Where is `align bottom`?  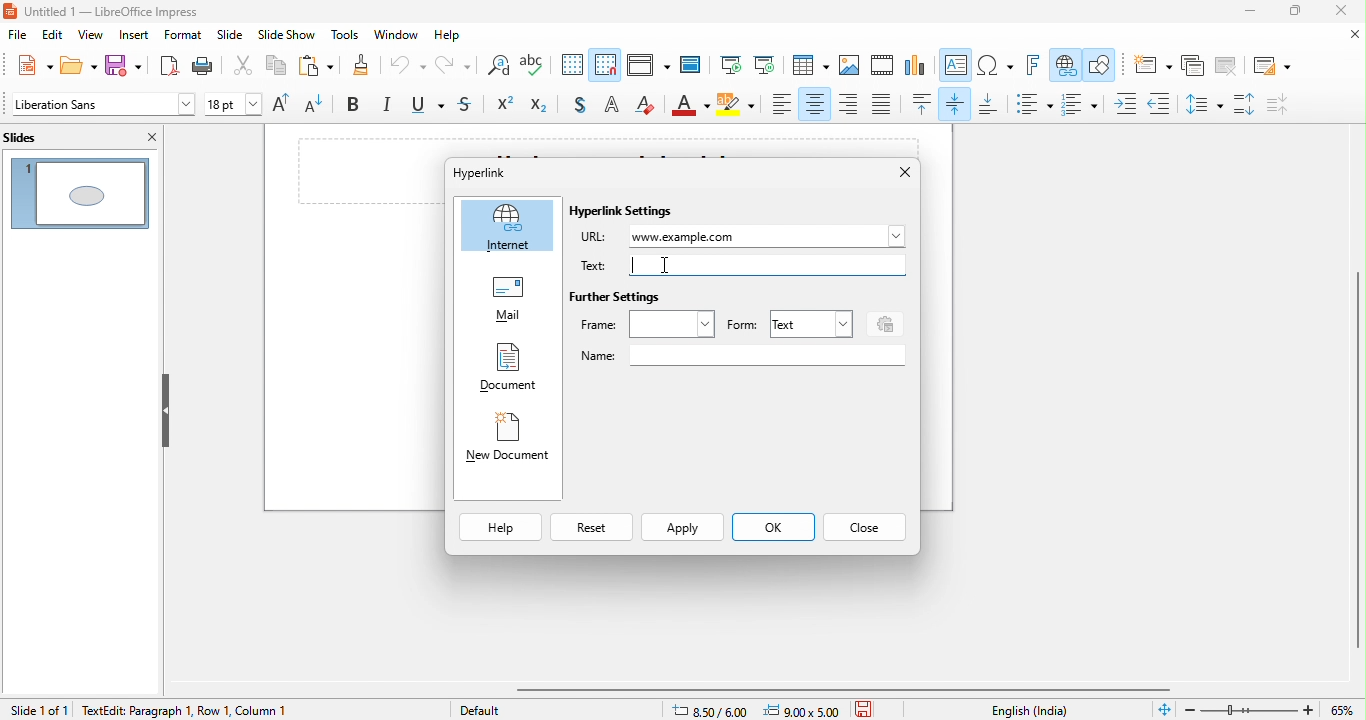 align bottom is located at coordinates (989, 105).